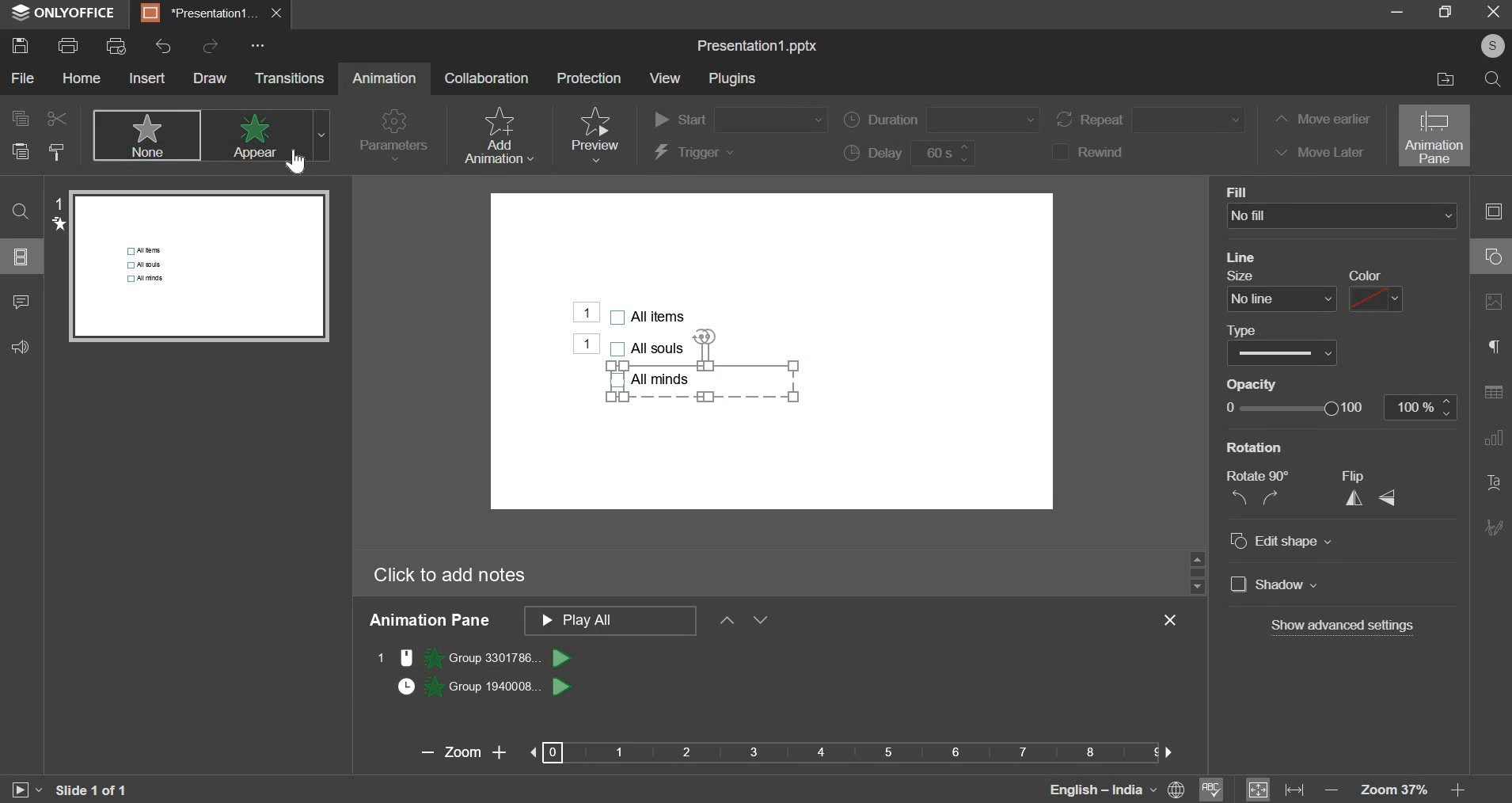  I want to click on animation pane, so click(1435, 135).